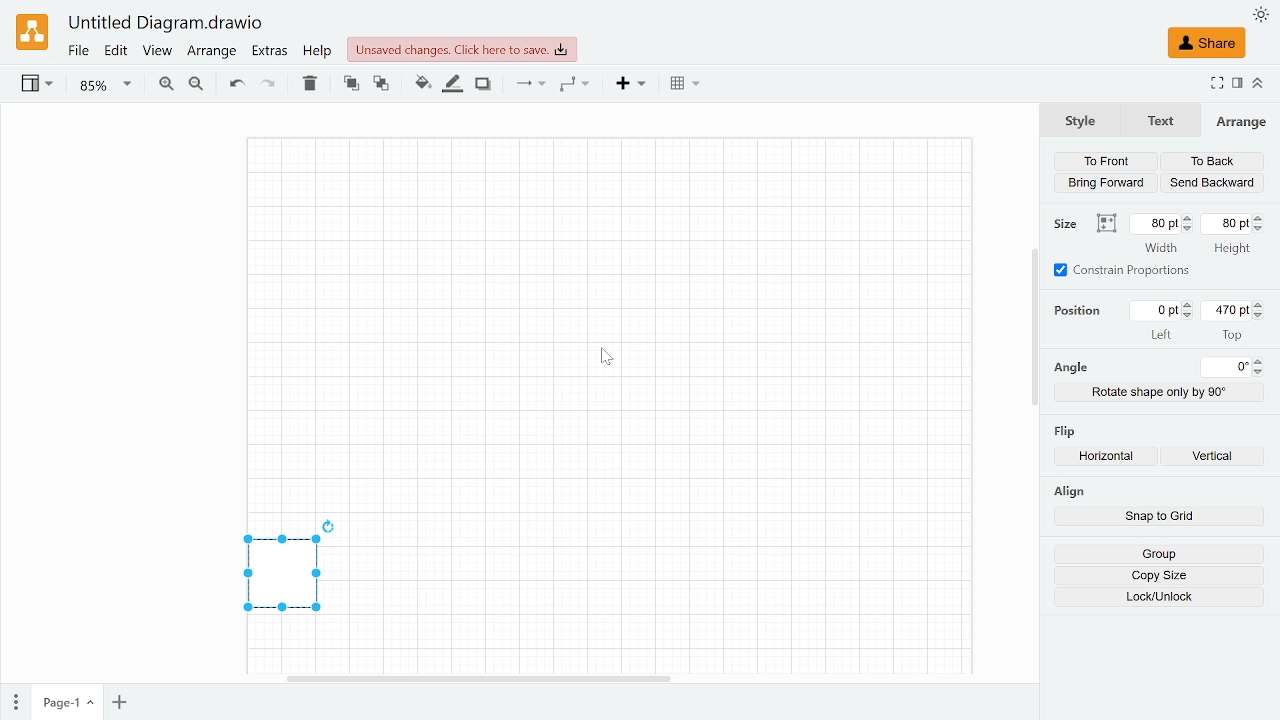 The height and width of the screenshot is (720, 1280). I want to click on Shape snapped to the edges of the canvas, so click(278, 576).